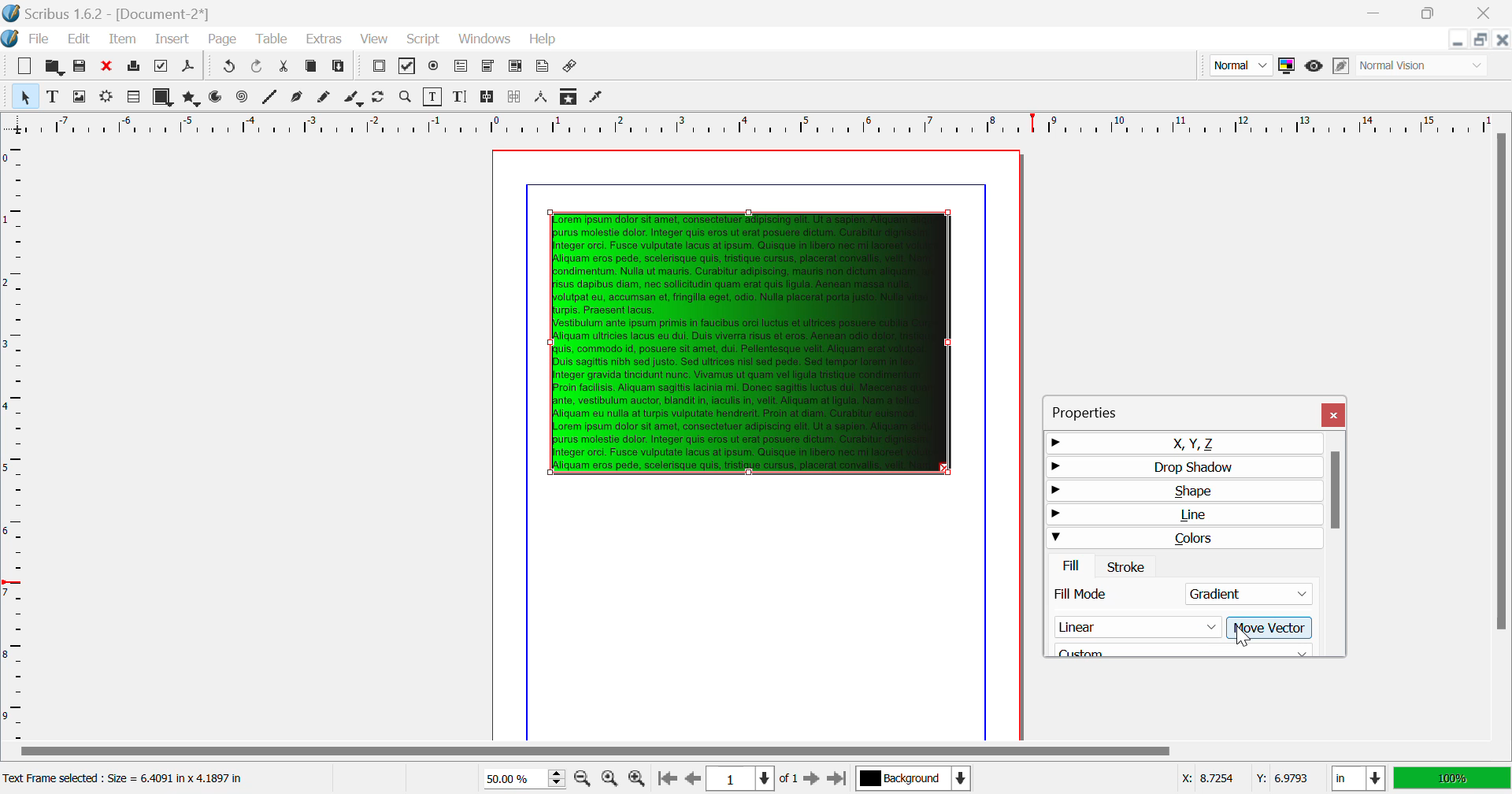 The height and width of the screenshot is (794, 1512). Describe the element at coordinates (811, 777) in the screenshot. I see `Next Page` at that location.